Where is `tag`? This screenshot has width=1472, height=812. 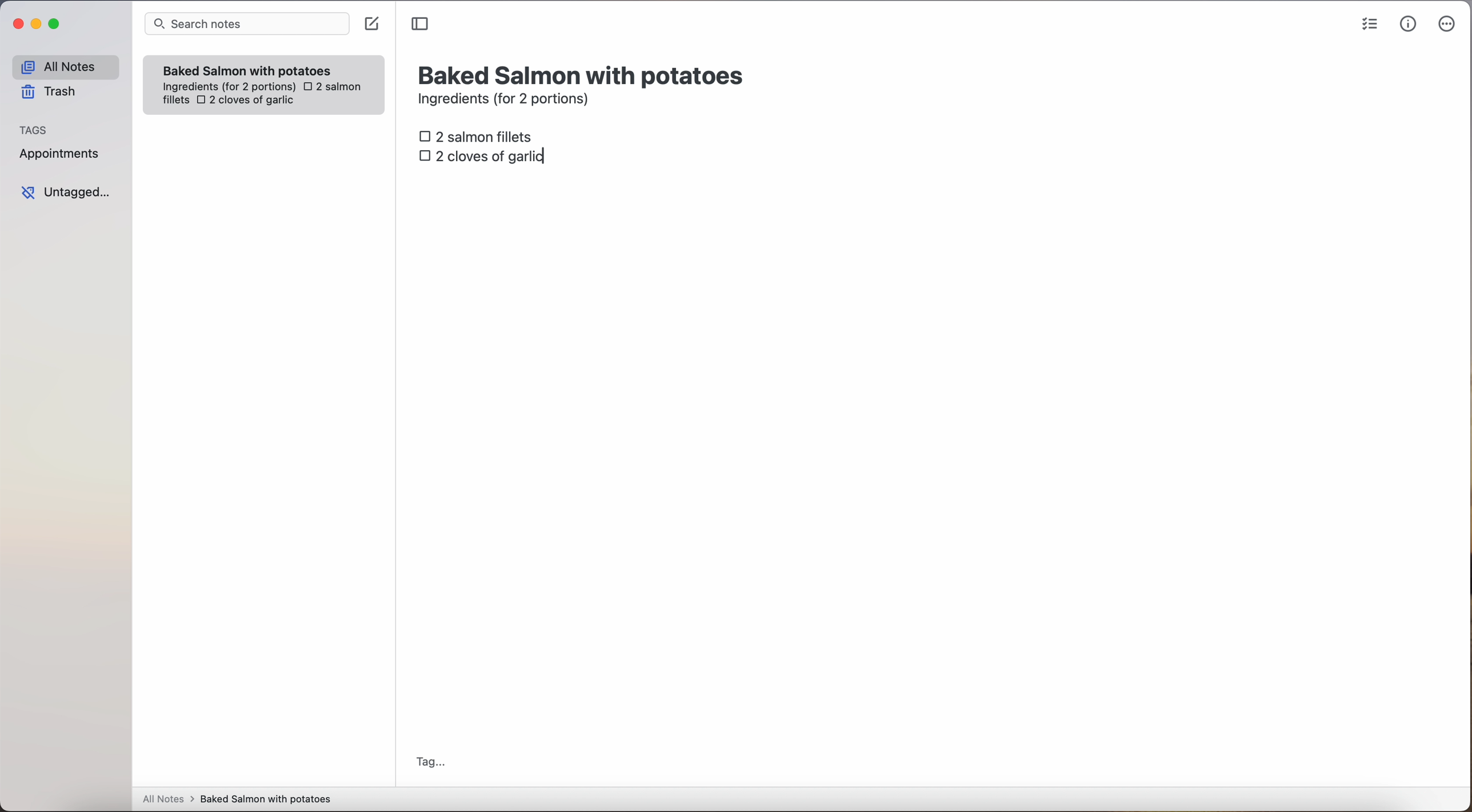 tag is located at coordinates (430, 763).